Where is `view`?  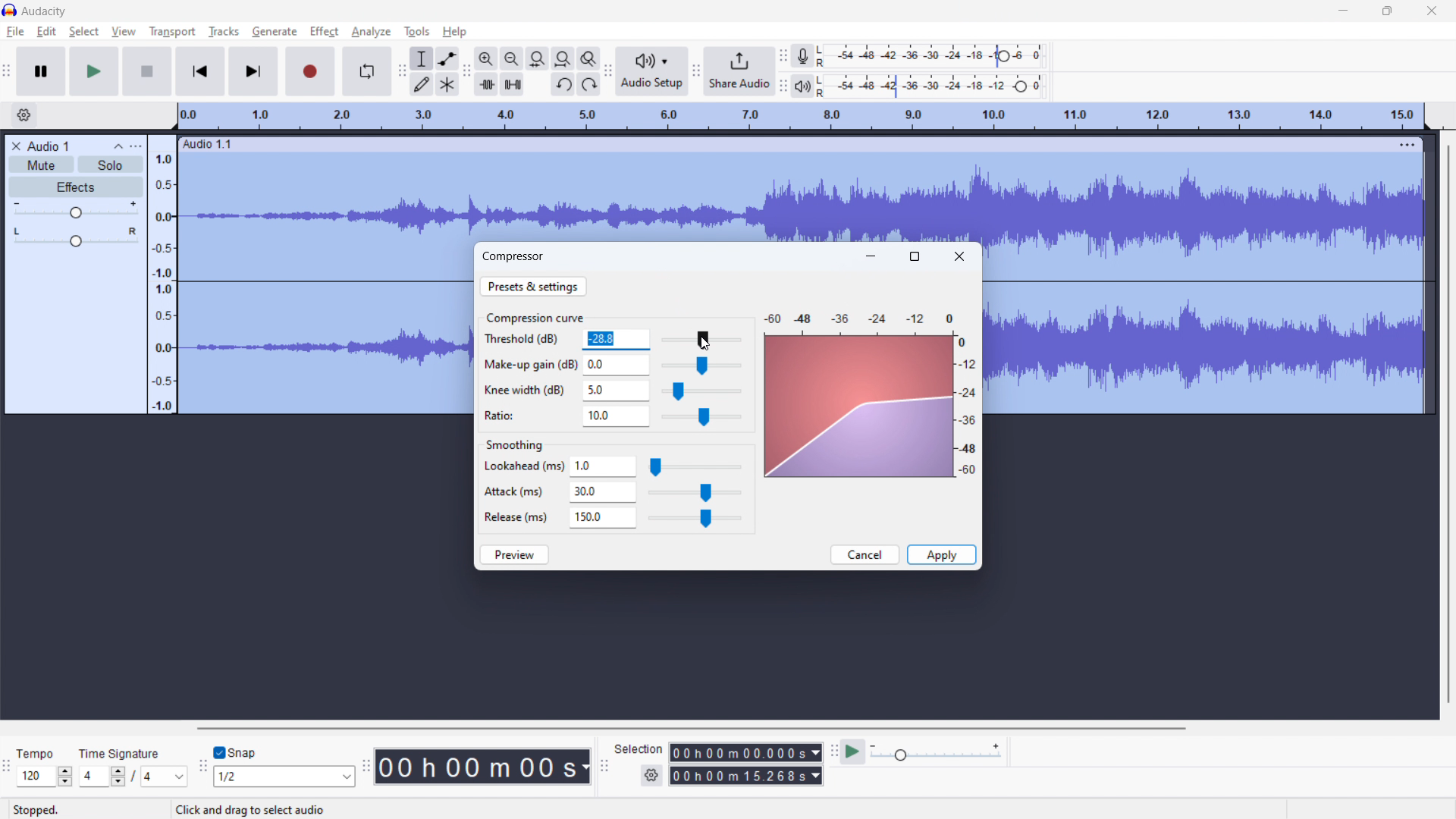 view is located at coordinates (124, 32).